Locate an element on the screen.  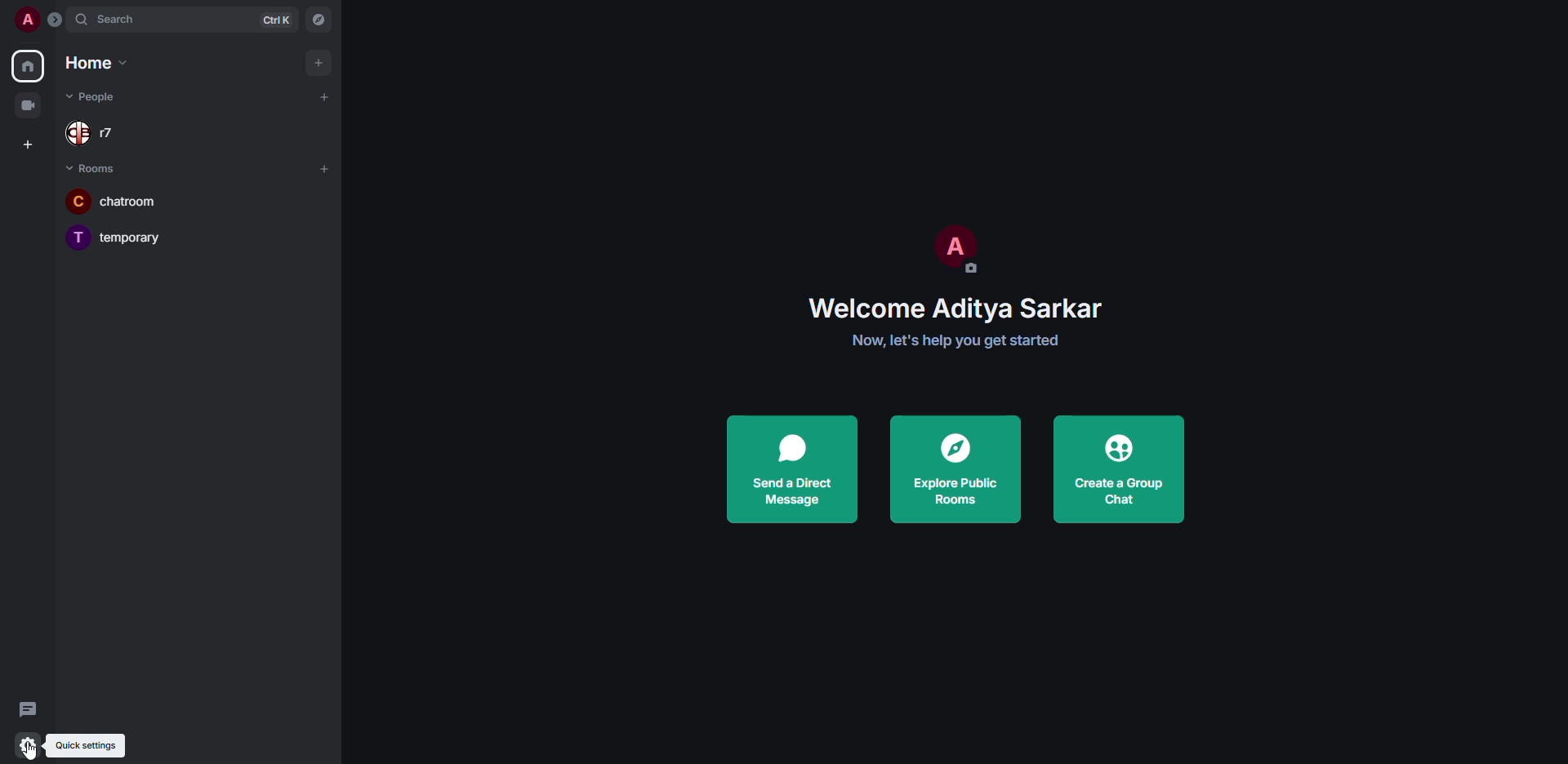
threads is located at coordinates (26, 708).